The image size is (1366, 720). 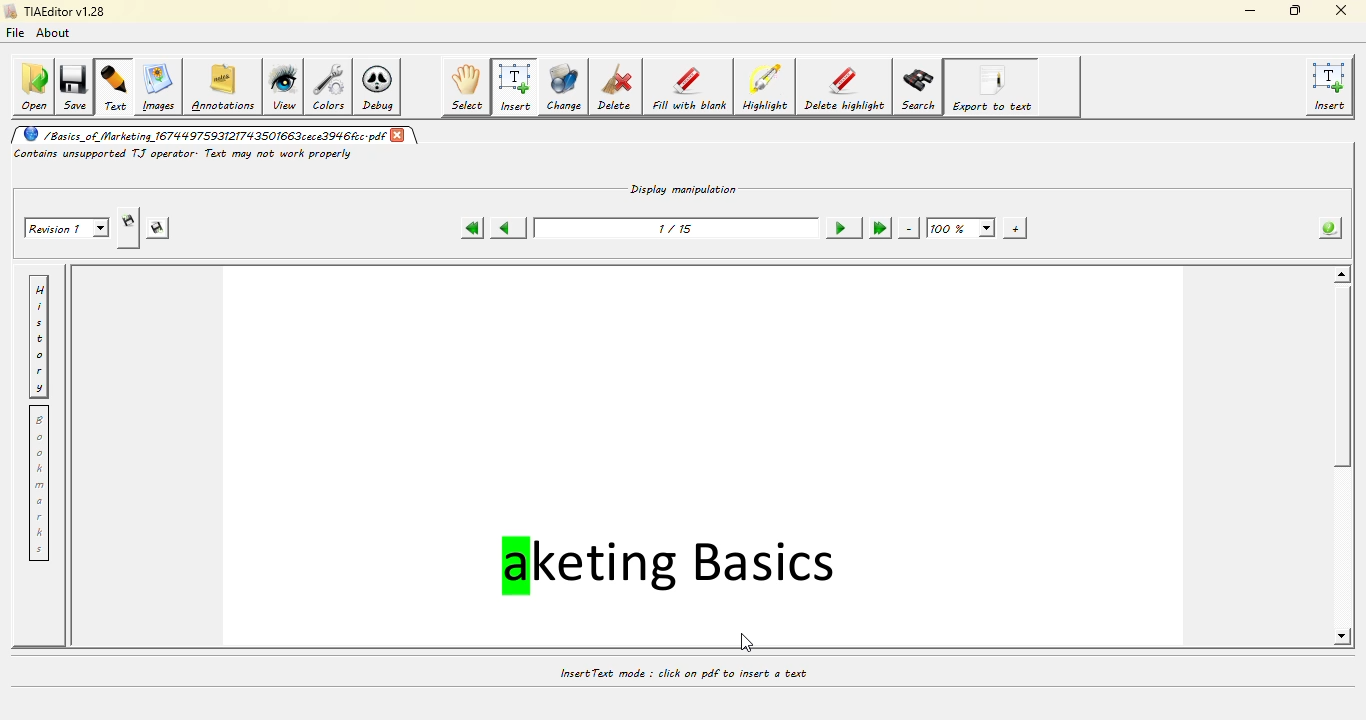 What do you see at coordinates (564, 88) in the screenshot?
I see `change` at bounding box center [564, 88].